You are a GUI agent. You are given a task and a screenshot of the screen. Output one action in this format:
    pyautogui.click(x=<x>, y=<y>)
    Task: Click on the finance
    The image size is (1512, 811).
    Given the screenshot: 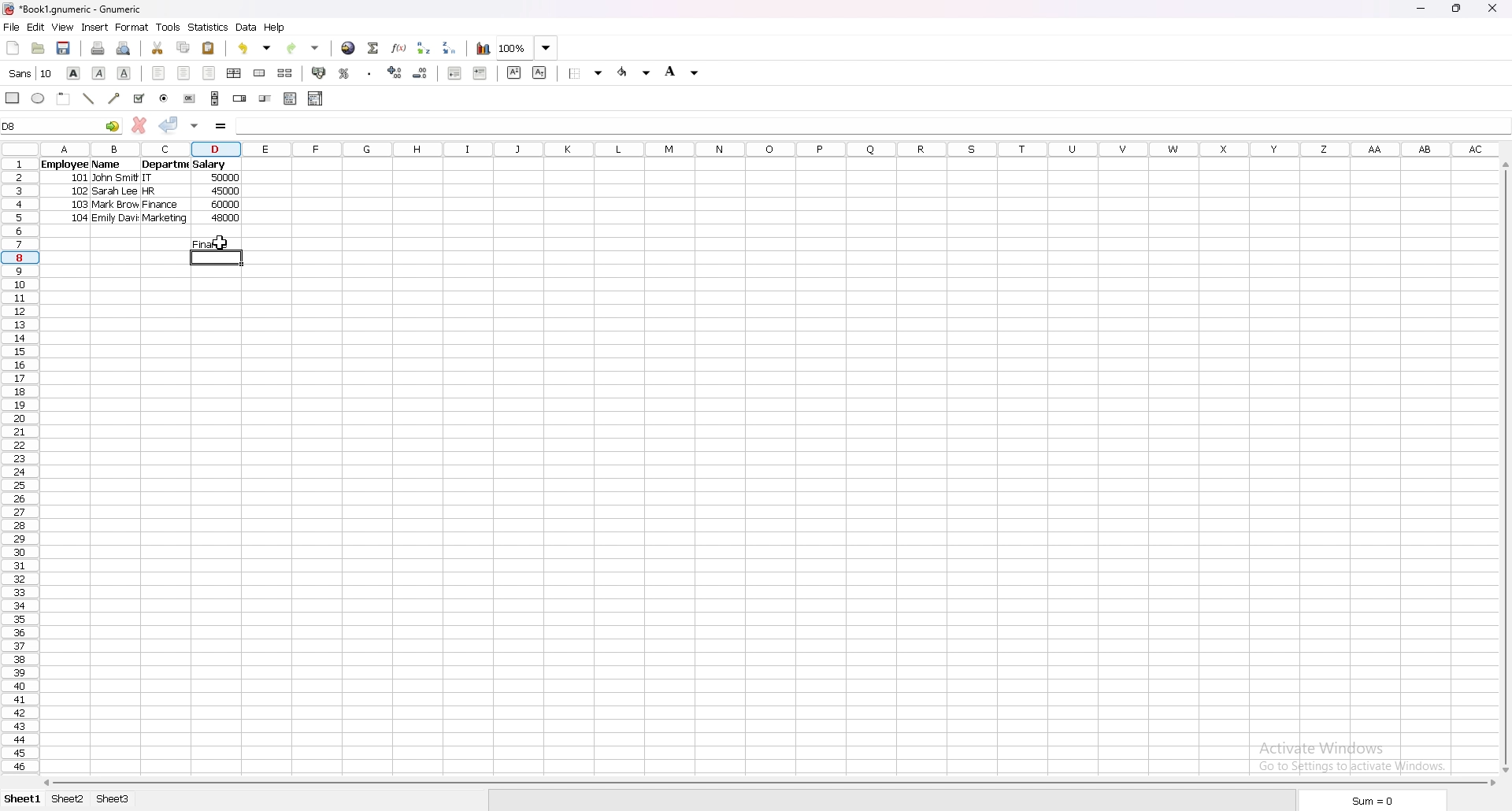 What is the action you would take?
    pyautogui.click(x=217, y=244)
    